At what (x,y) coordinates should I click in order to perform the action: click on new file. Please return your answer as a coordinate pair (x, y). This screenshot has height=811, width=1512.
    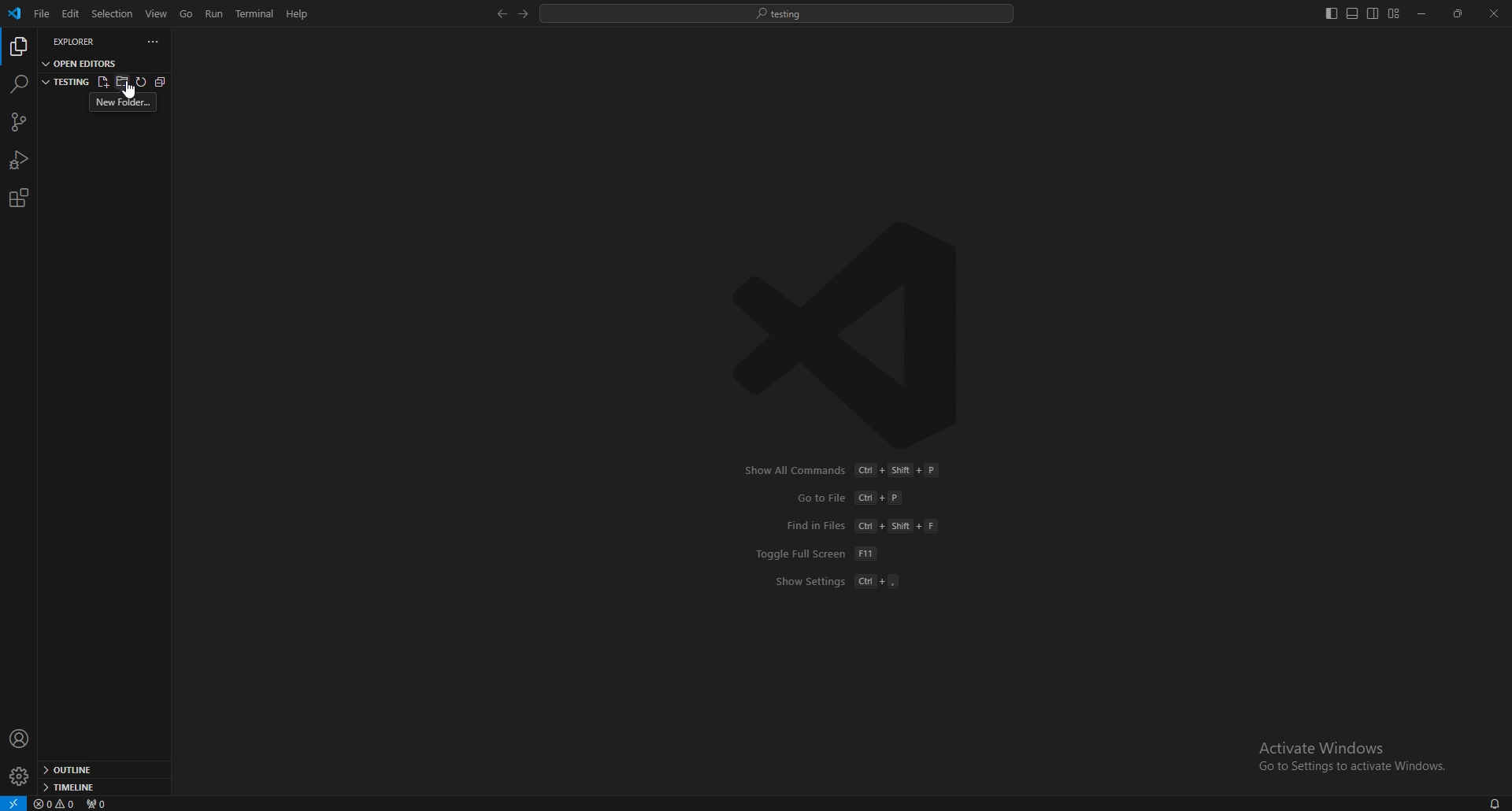
    Looking at the image, I should click on (102, 80).